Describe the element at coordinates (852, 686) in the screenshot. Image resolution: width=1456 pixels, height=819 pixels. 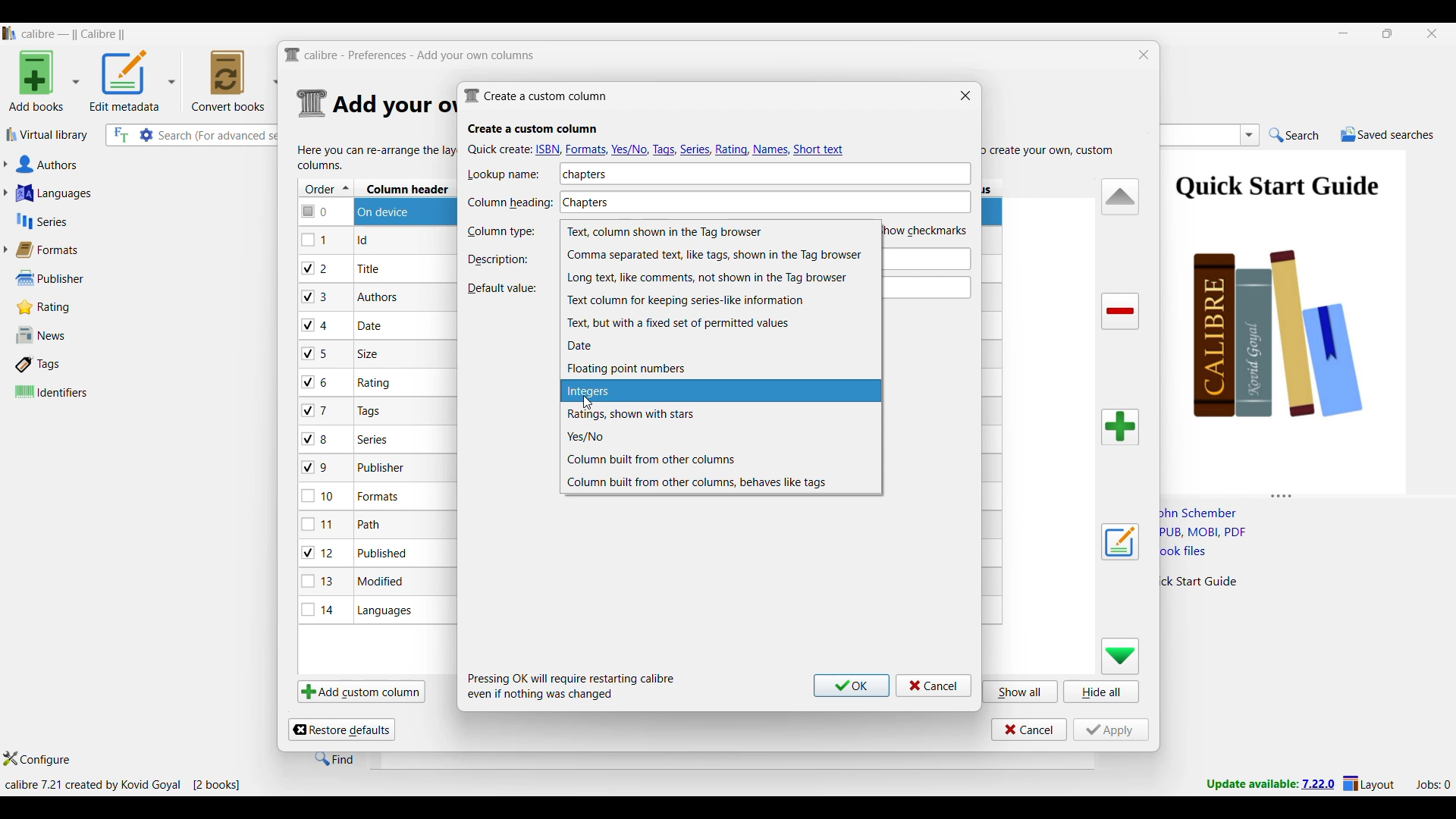
I see `Ok` at that location.